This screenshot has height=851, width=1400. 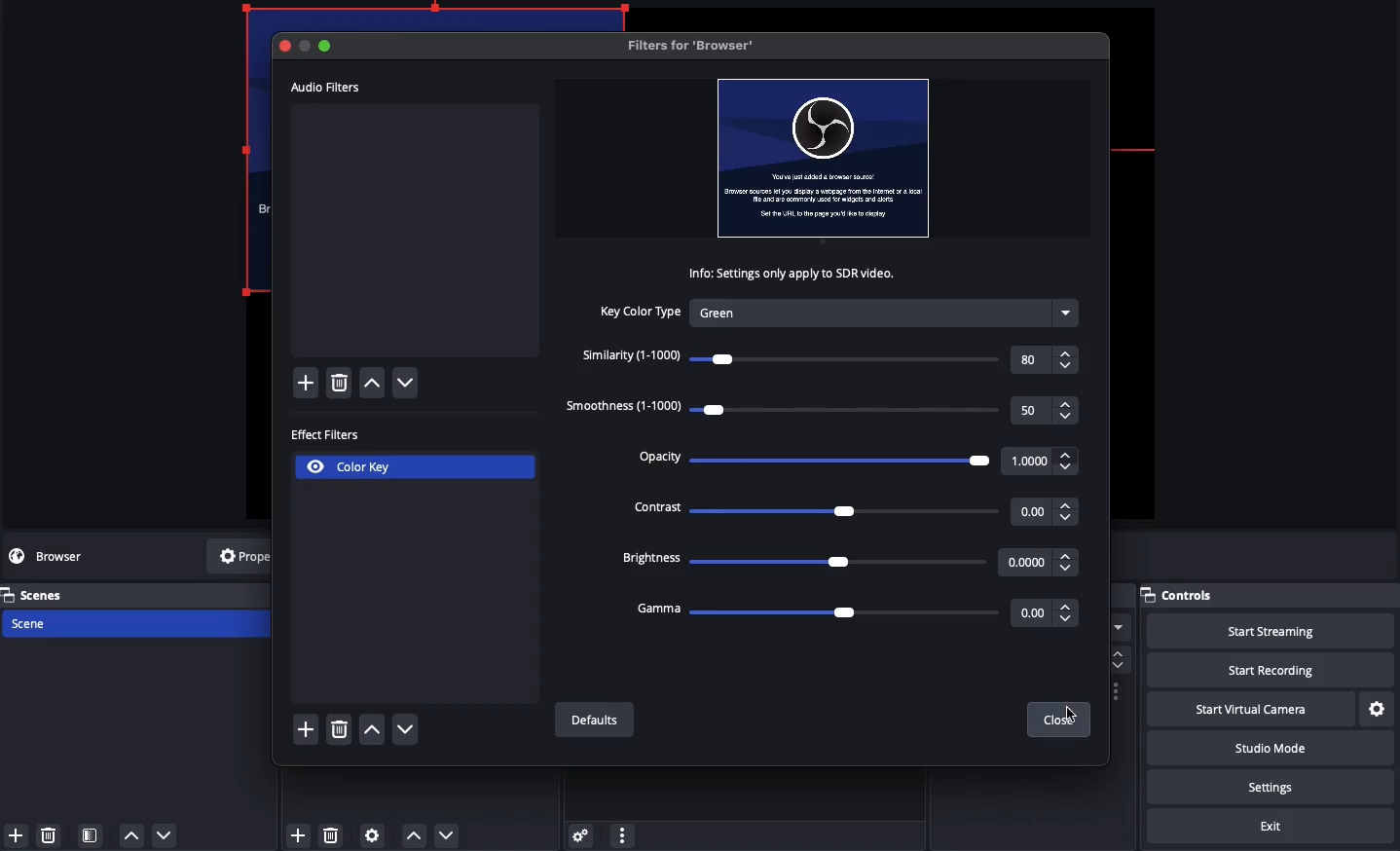 I want to click on Settings, so click(x=1267, y=787).